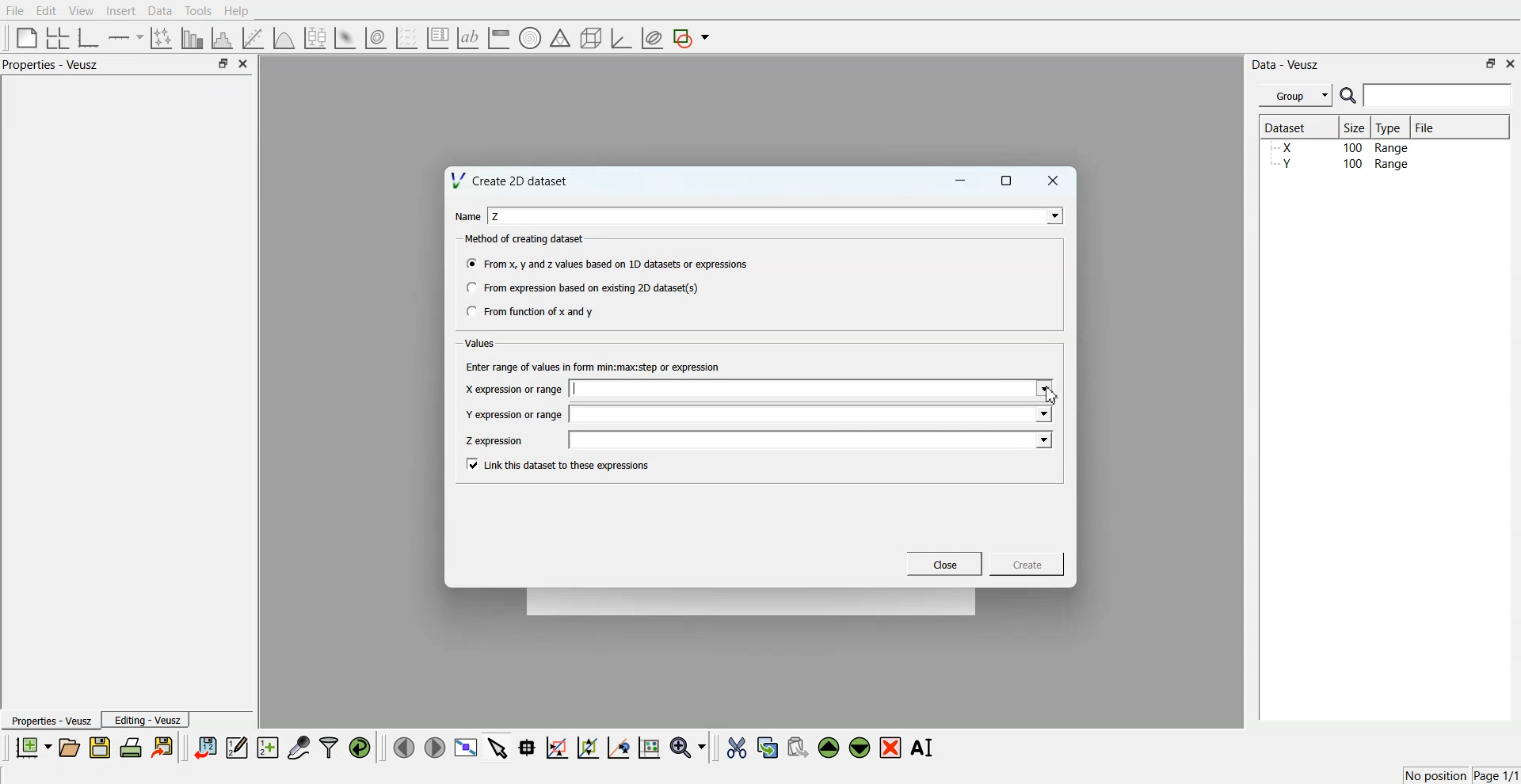  Describe the element at coordinates (223, 63) in the screenshot. I see `Maximize` at that location.